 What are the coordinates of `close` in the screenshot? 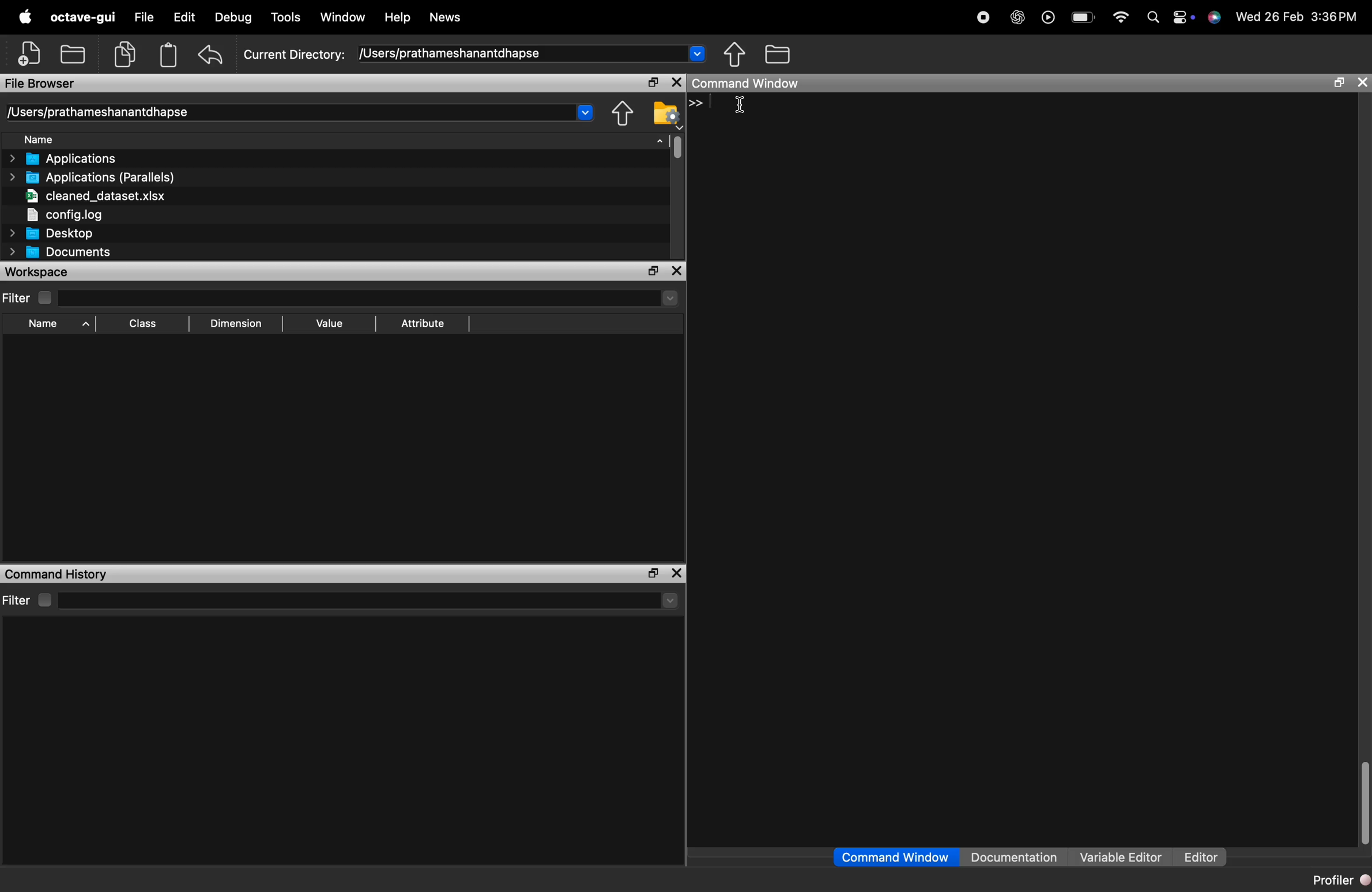 It's located at (1360, 83).